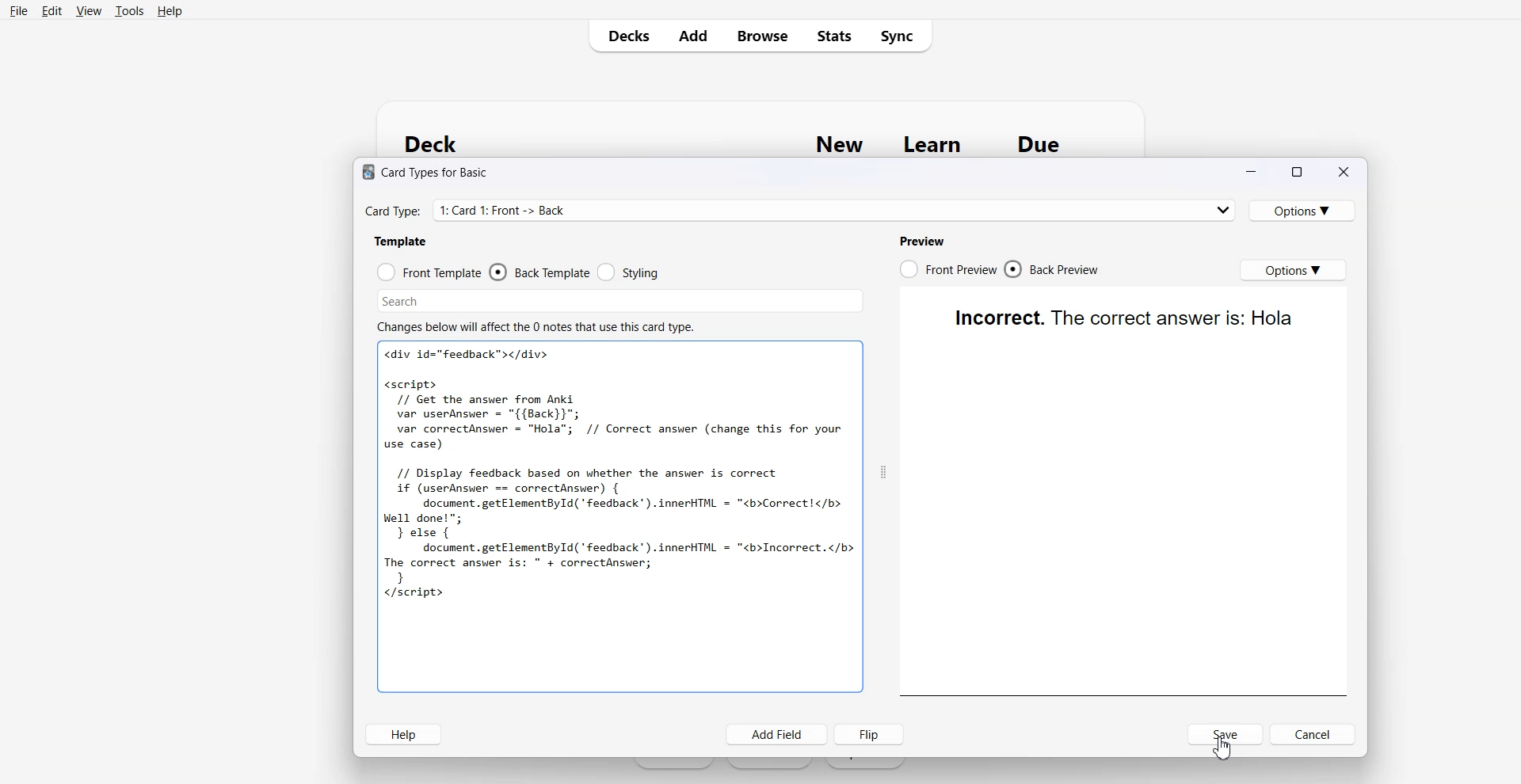 The height and width of the screenshot is (784, 1521). What do you see at coordinates (1302, 211) in the screenshot?
I see `Options` at bounding box center [1302, 211].